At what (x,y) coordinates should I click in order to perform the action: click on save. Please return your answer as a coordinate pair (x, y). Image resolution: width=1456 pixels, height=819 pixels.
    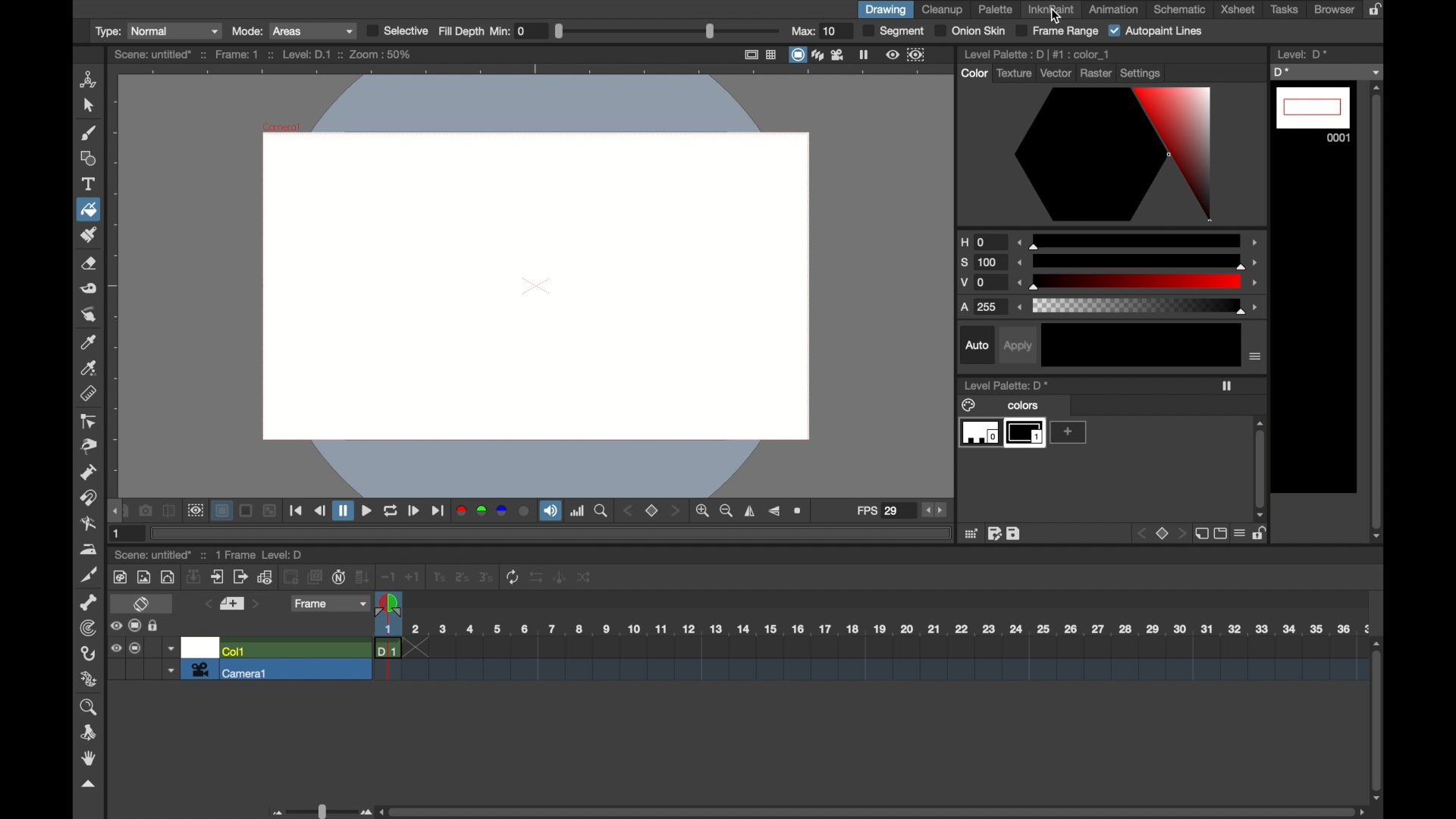
    Looking at the image, I should click on (1013, 533).